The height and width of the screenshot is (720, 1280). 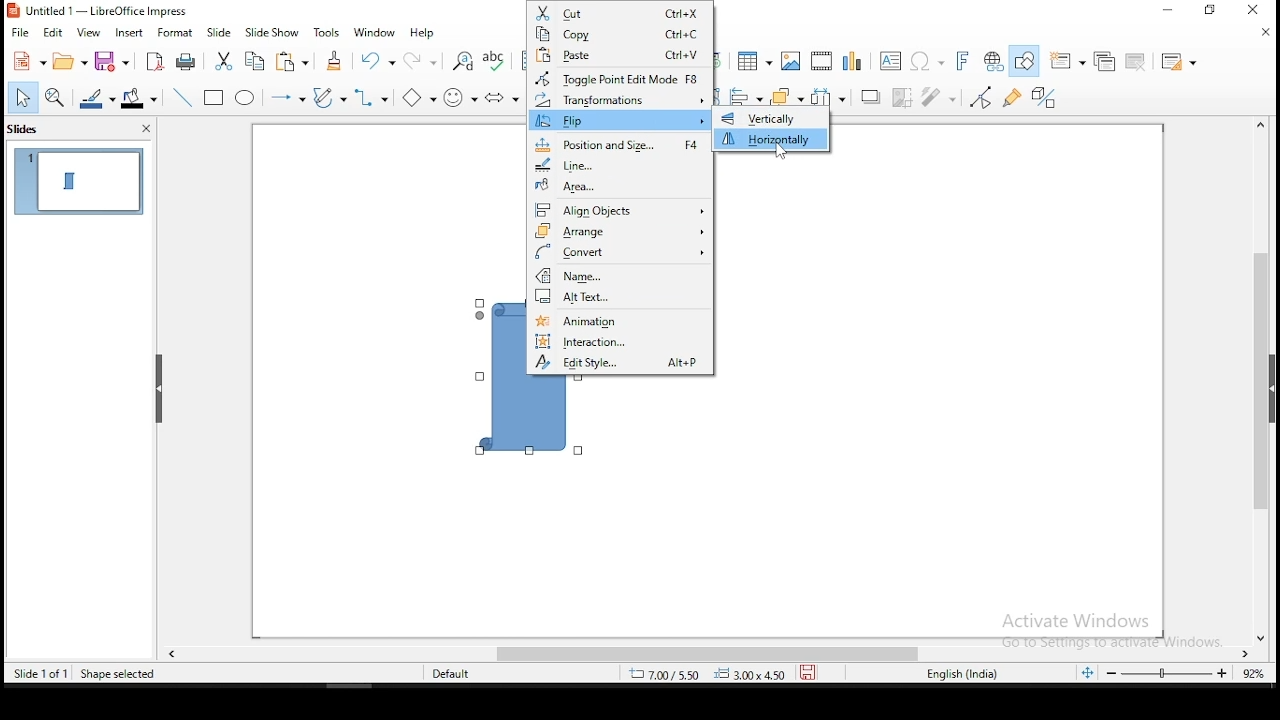 I want to click on englisg (india), so click(x=953, y=673).